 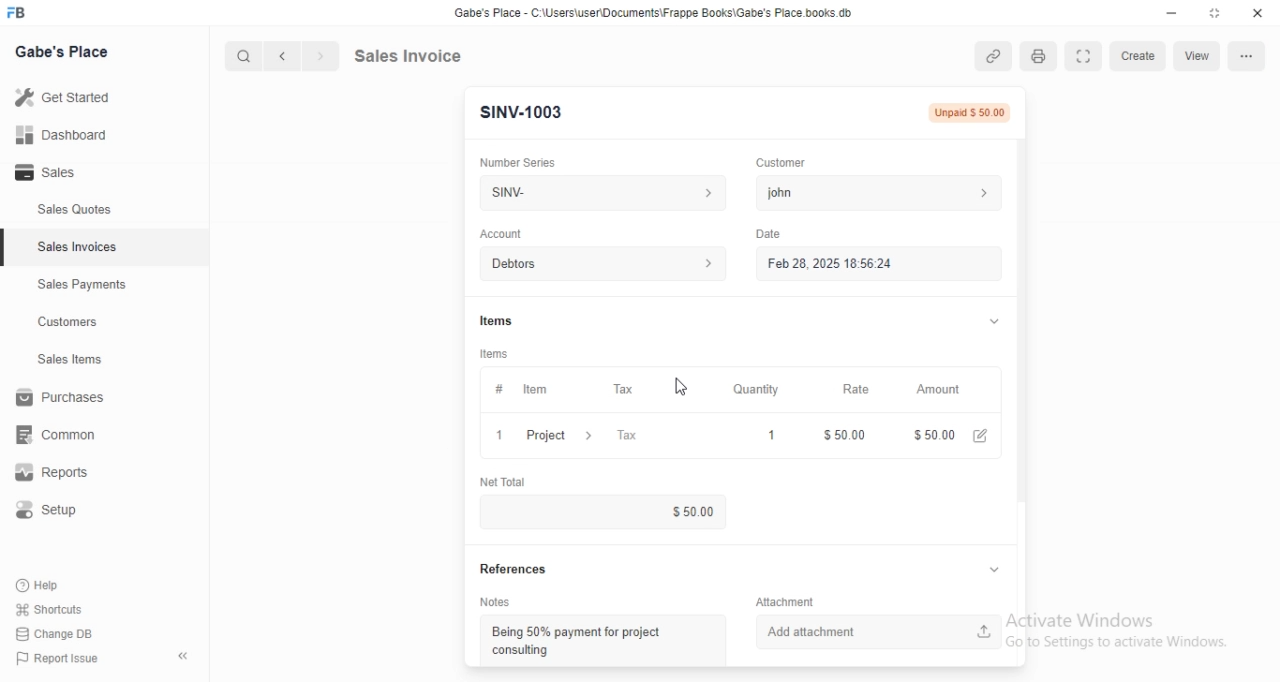 I want to click on edit, so click(x=983, y=435).